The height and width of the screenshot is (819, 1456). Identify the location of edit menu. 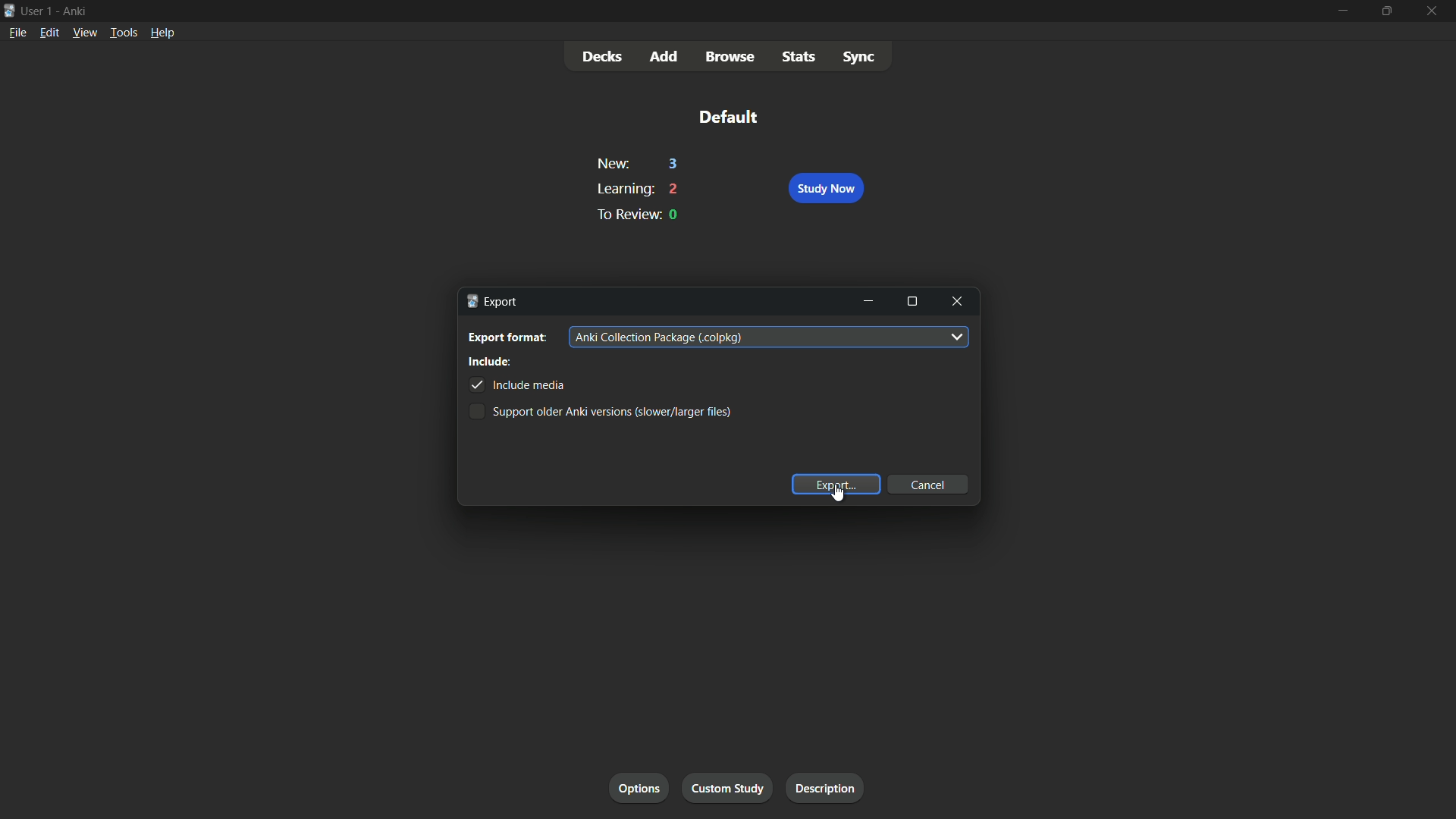
(49, 33).